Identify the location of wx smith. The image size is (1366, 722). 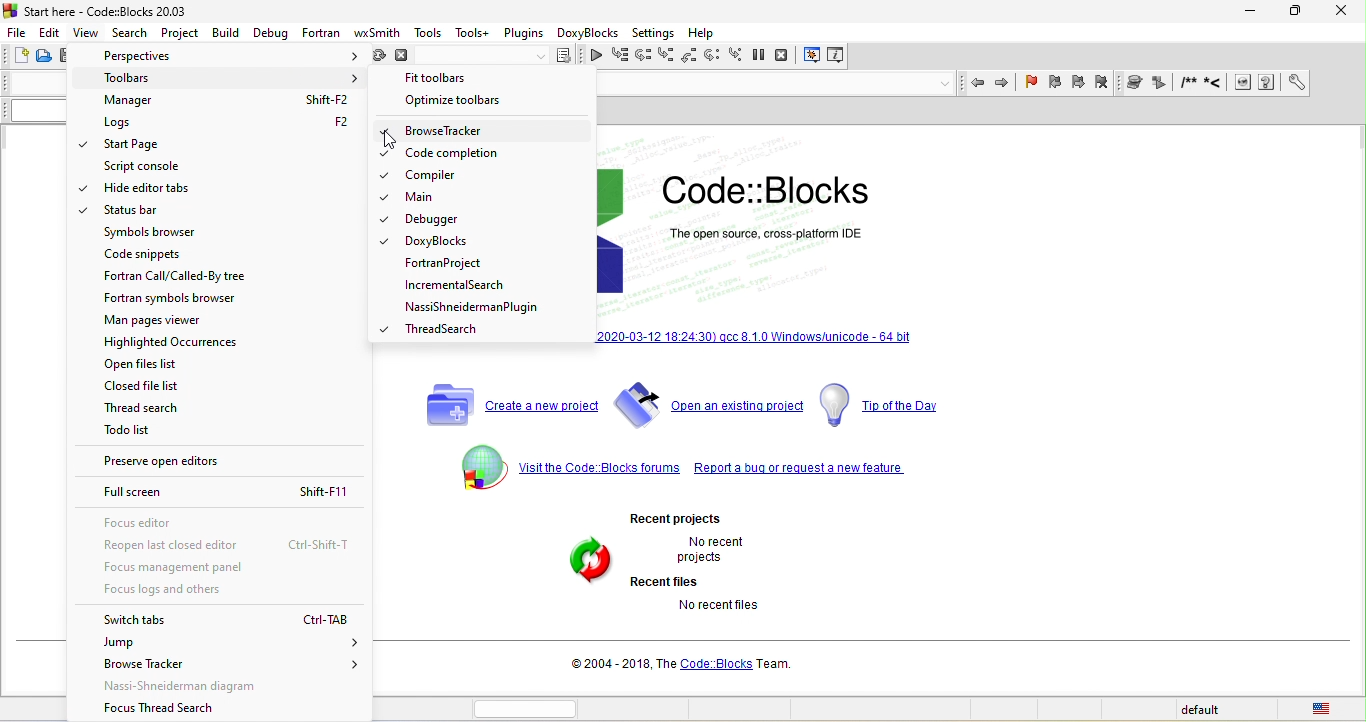
(375, 33).